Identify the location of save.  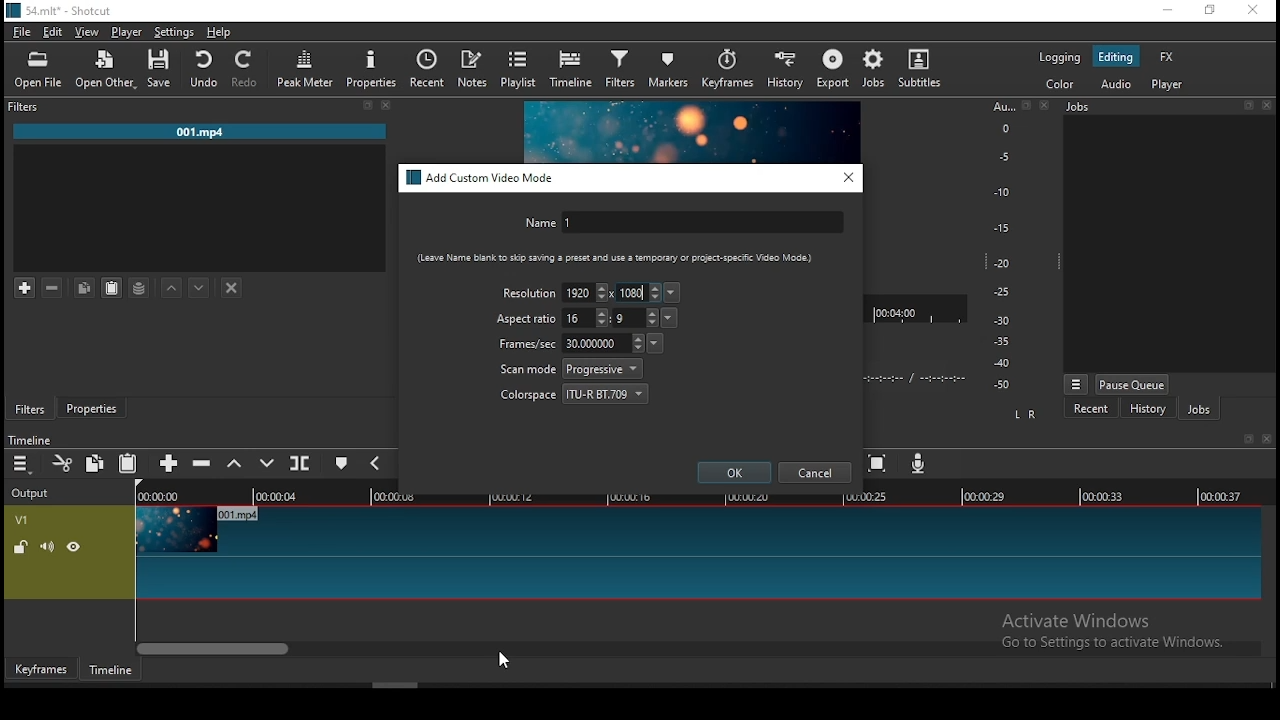
(164, 69).